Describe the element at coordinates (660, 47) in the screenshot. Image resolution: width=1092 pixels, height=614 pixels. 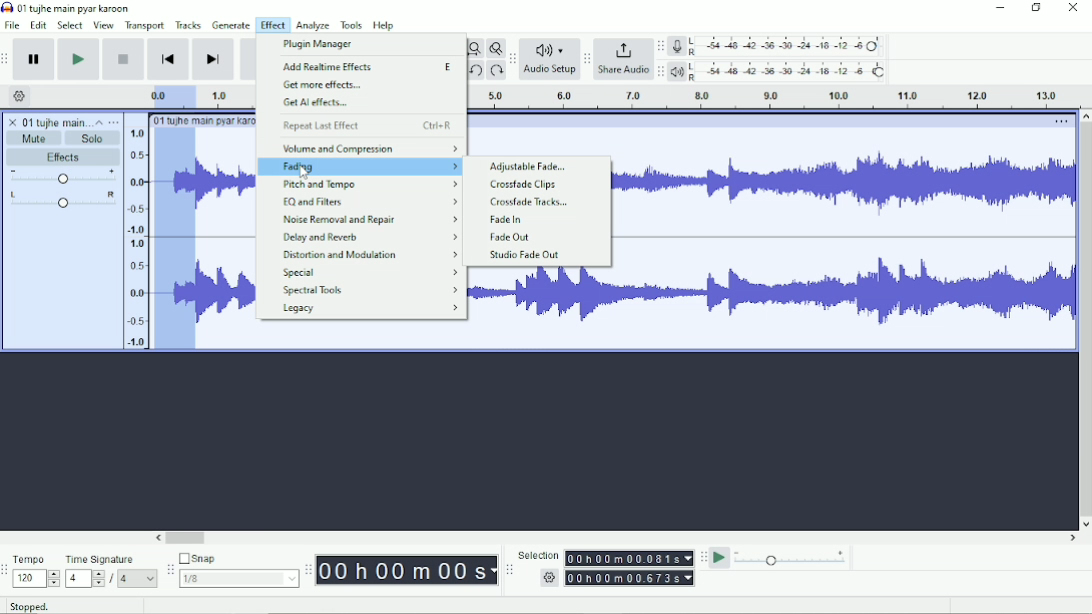
I see `Audacity recording meter toolbar` at that location.